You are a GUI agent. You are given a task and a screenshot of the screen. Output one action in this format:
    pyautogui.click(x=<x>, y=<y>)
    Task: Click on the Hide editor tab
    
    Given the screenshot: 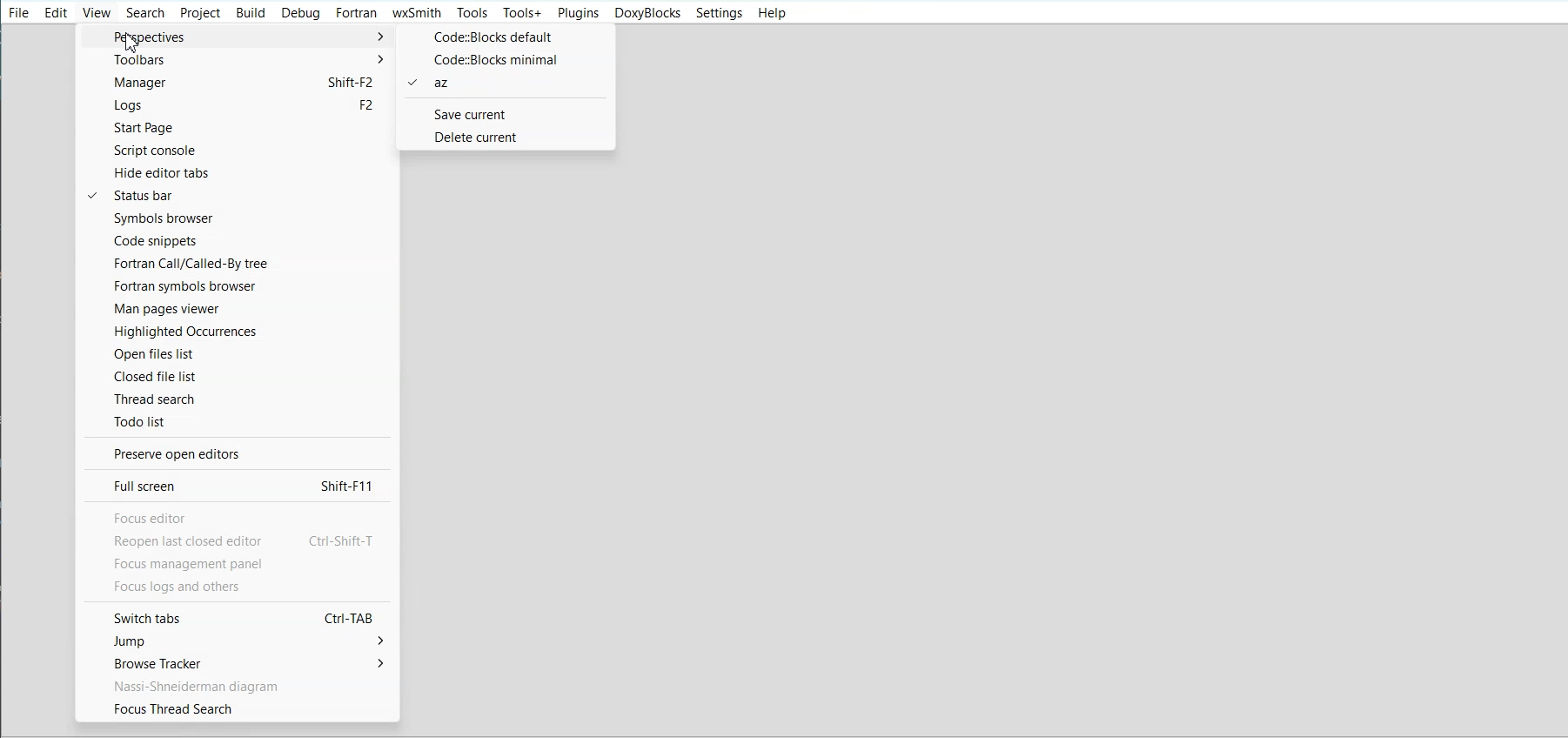 What is the action you would take?
    pyautogui.click(x=239, y=172)
    